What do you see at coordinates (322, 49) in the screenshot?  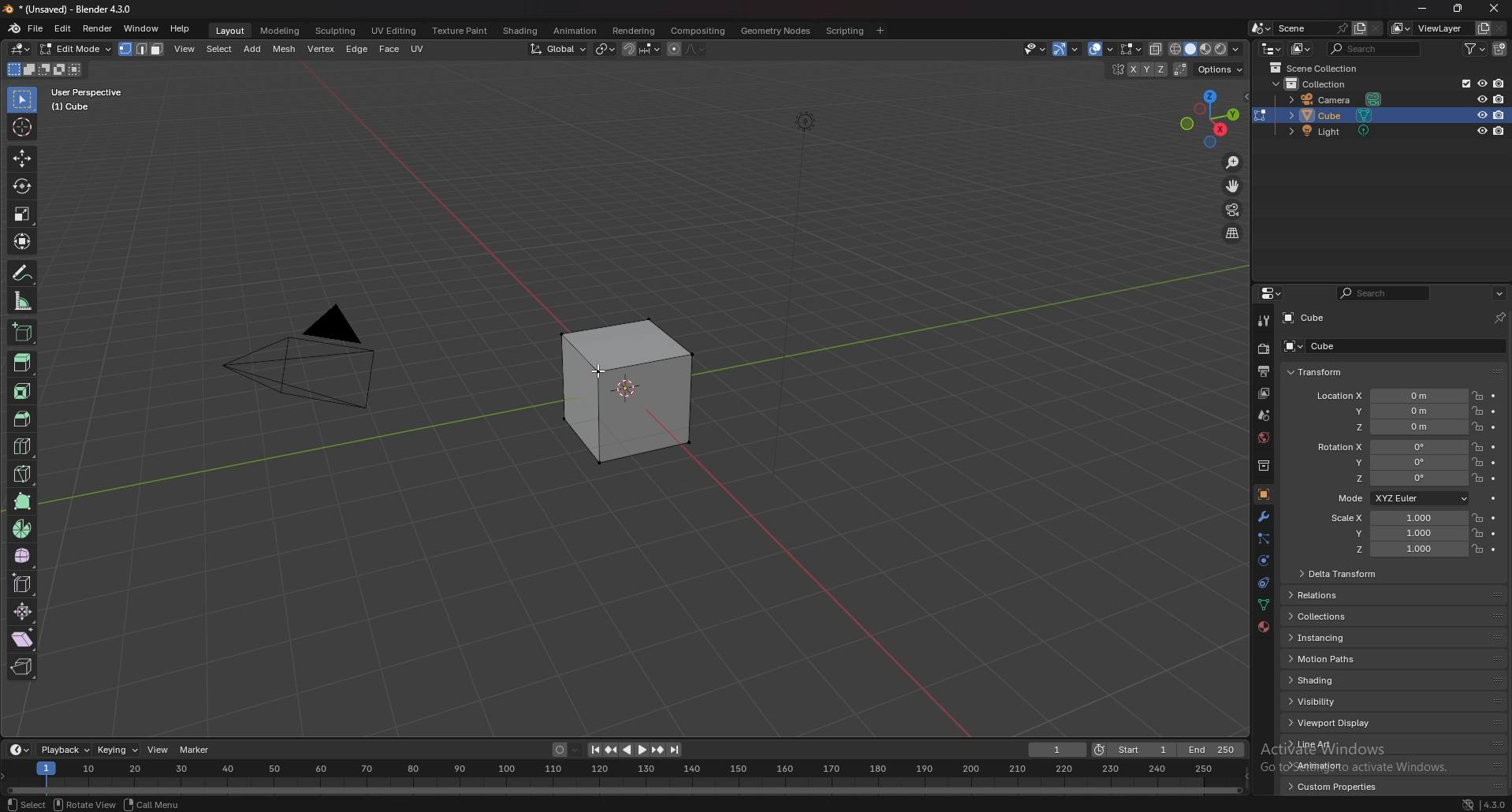 I see `vertex` at bounding box center [322, 49].